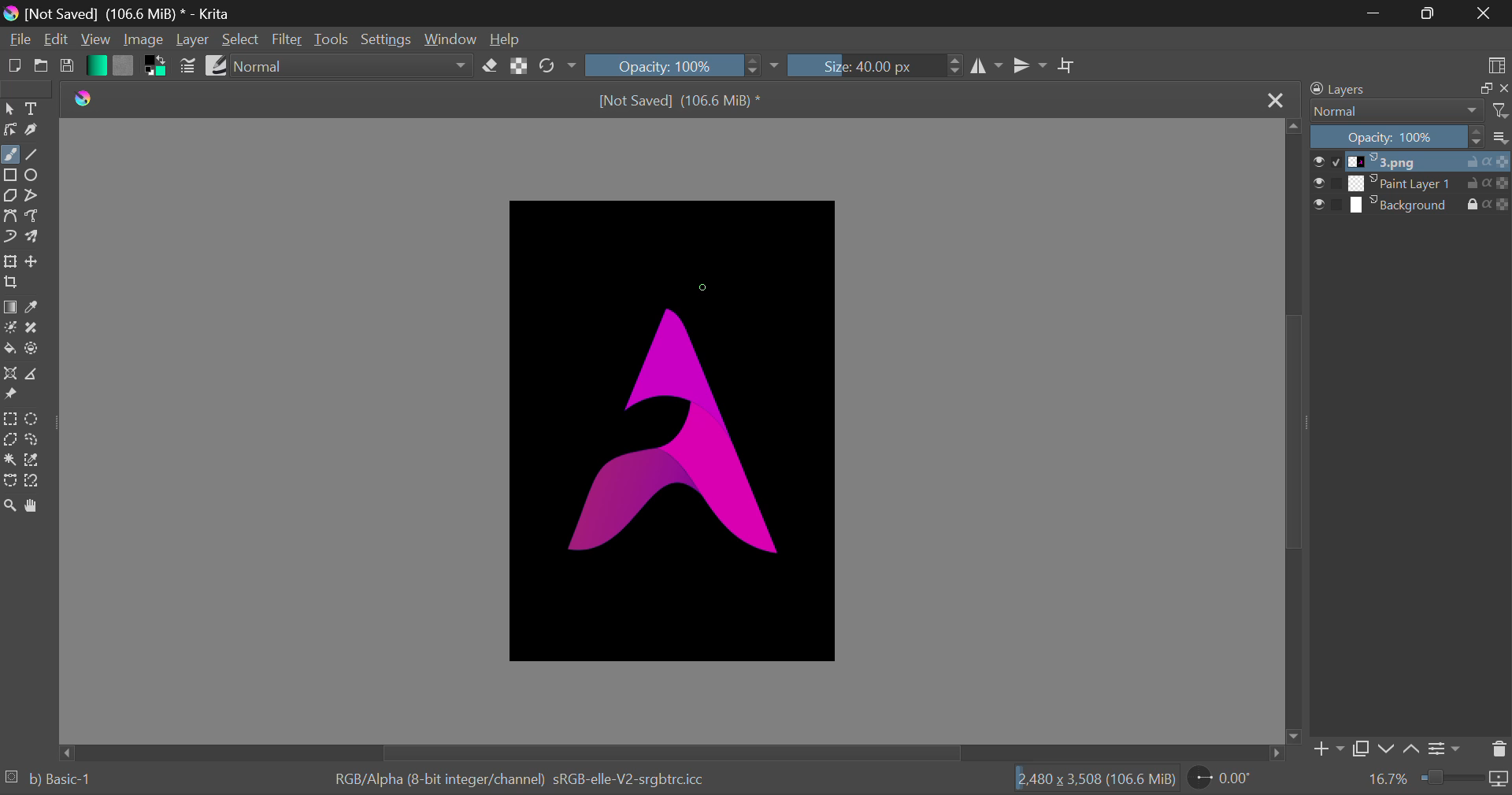 The width and height of the screenshot is (1512, 795). I want to click on Transform Layer, so click(10, 262).